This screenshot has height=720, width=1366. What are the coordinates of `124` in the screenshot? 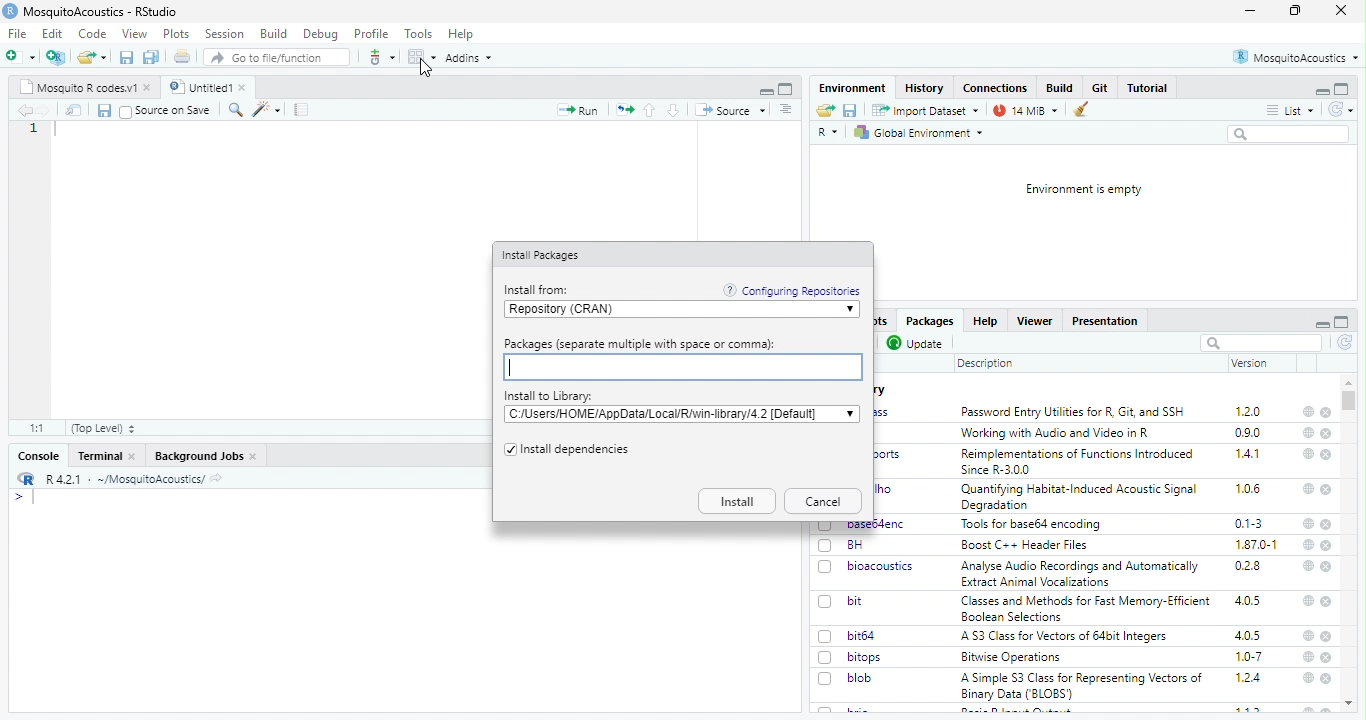 It's located at (1249, 678).